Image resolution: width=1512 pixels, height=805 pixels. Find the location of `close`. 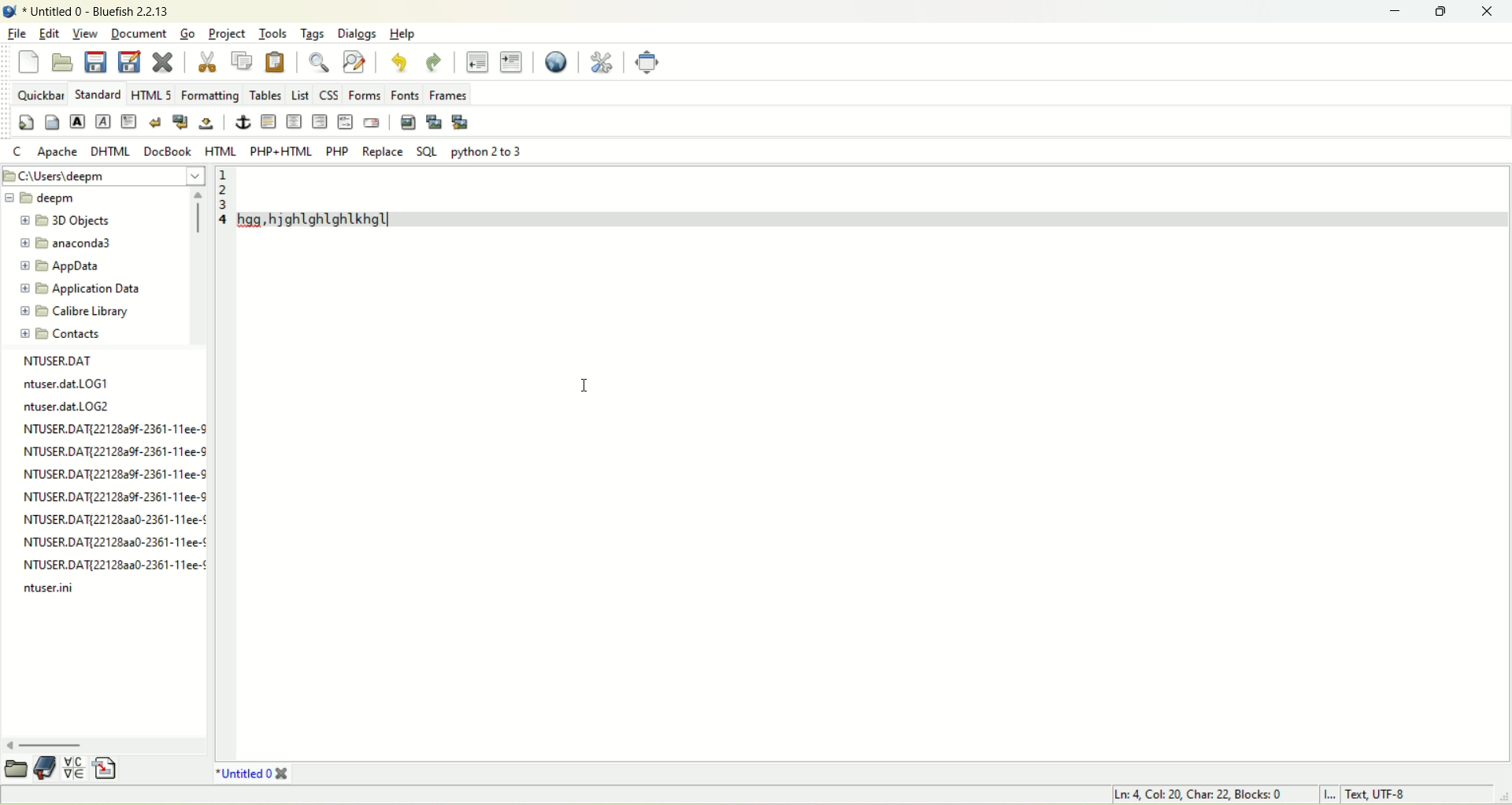

close is located at coordinates (163, 61).